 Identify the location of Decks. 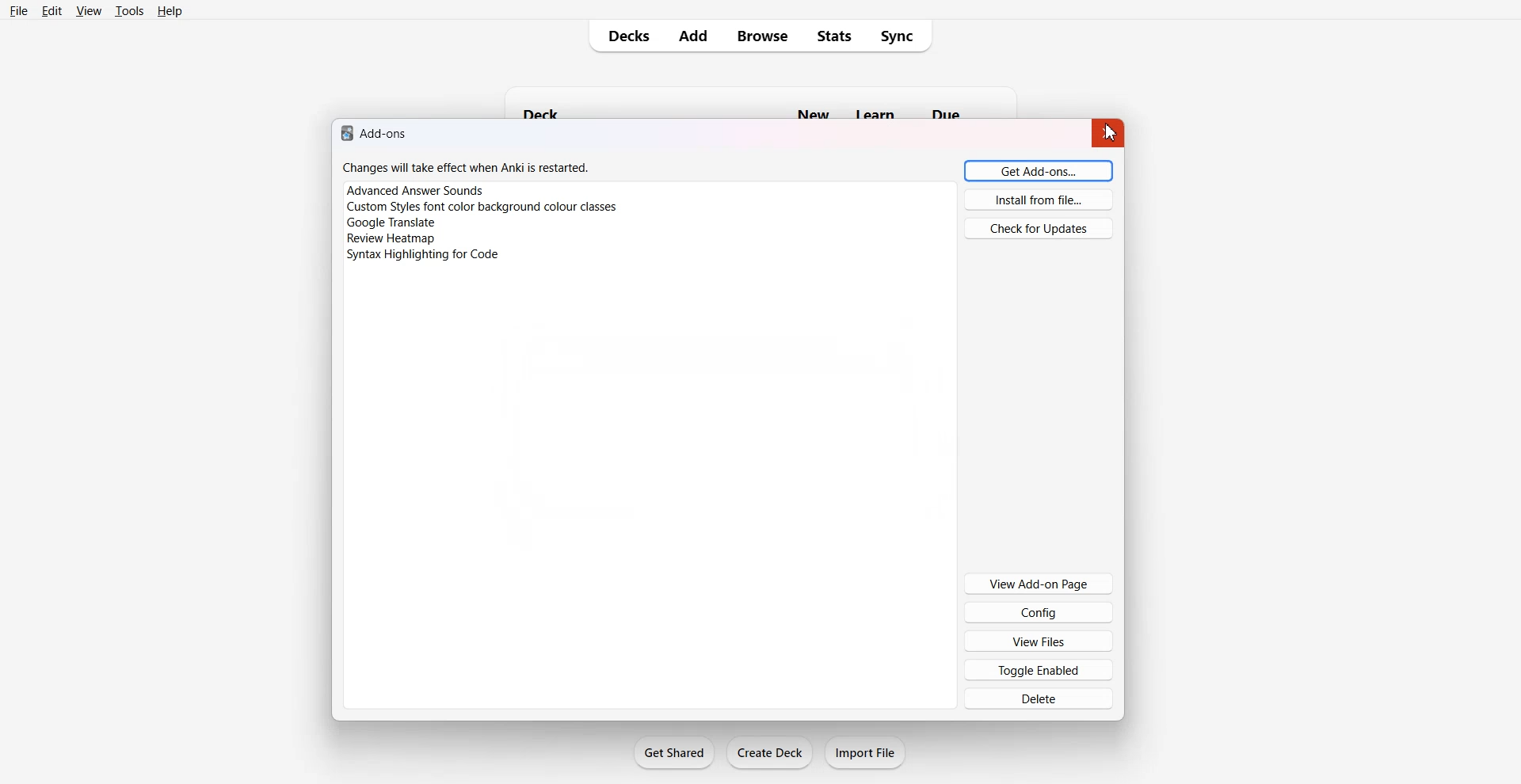
(623, 36).